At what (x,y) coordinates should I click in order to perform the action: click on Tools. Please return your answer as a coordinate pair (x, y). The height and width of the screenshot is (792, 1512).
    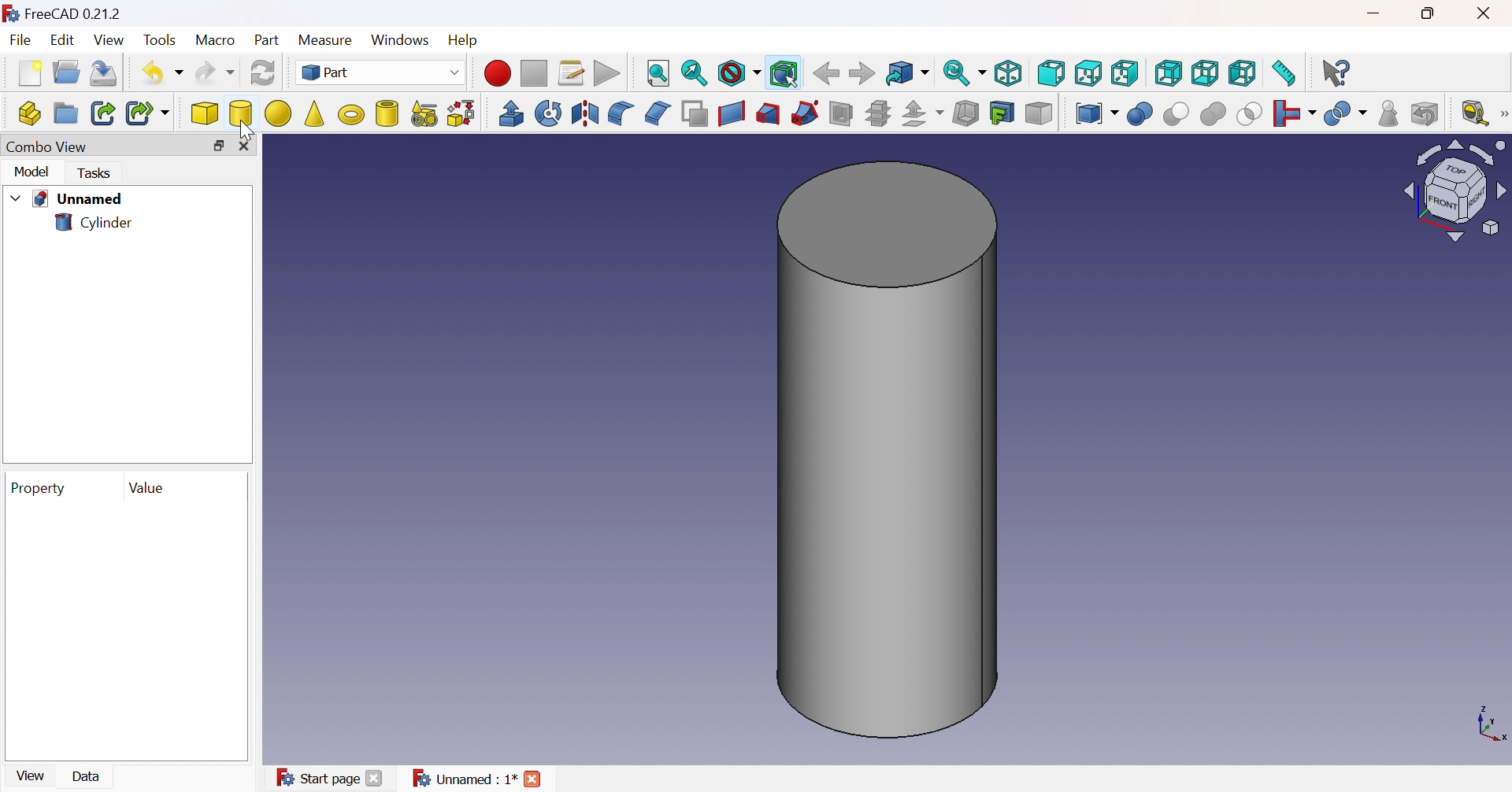
    Looking at the image, I should click on (161, 40).